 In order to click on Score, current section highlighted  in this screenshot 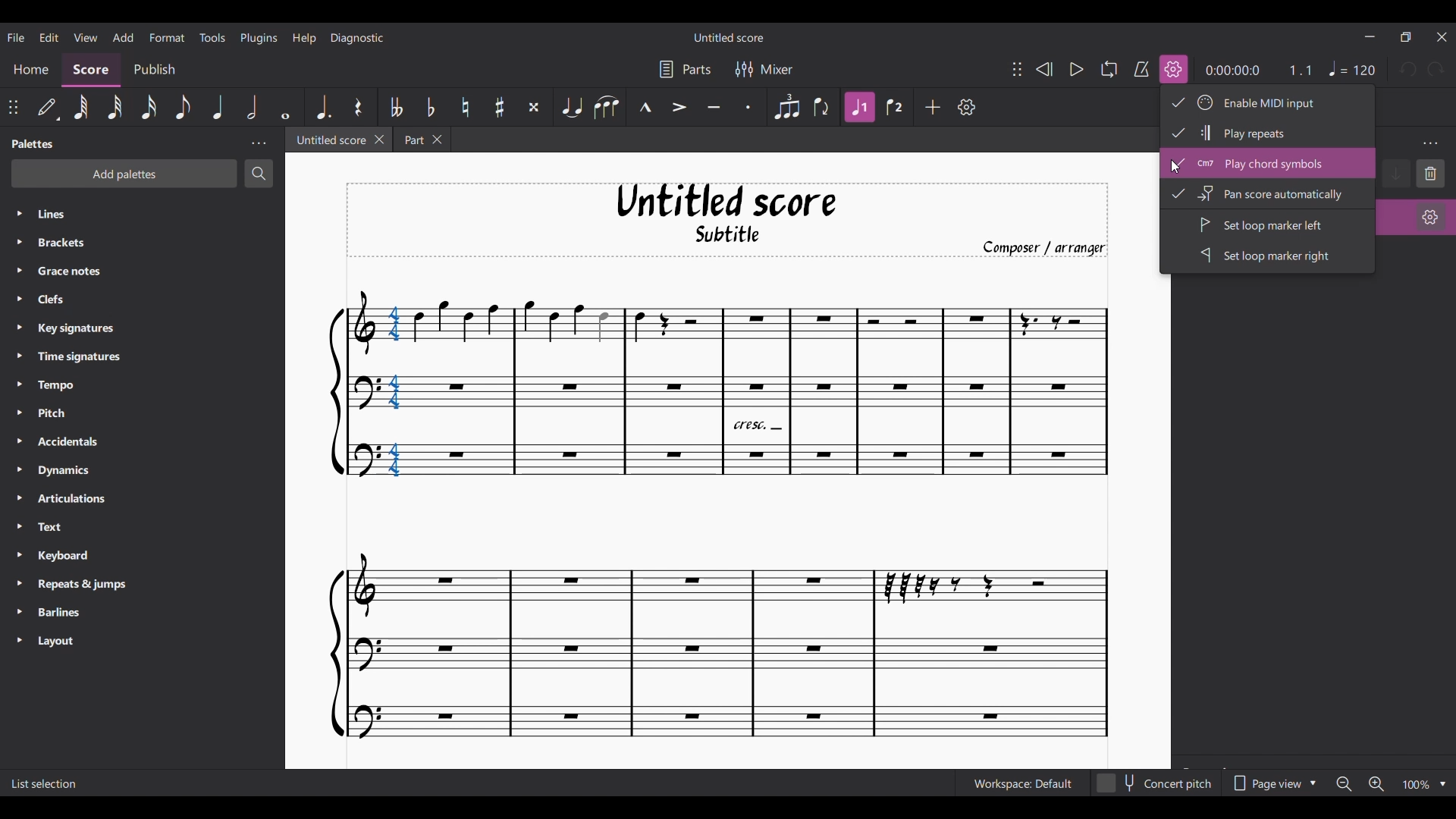, I will do `click(91, 71)`.